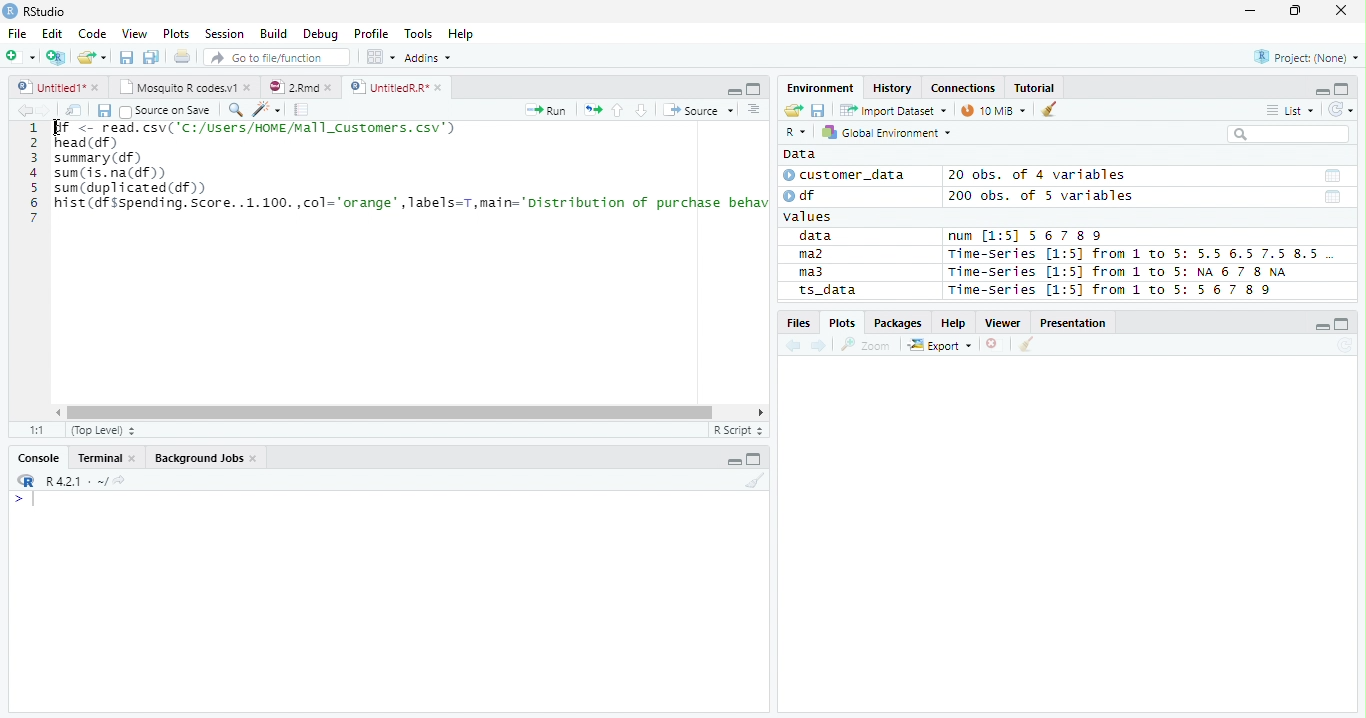 This screenshot has width=1366, height=718. What do you see at coordinates (954, 324) in the screenshot?
I see `Help` at bounding box center [954, 324].